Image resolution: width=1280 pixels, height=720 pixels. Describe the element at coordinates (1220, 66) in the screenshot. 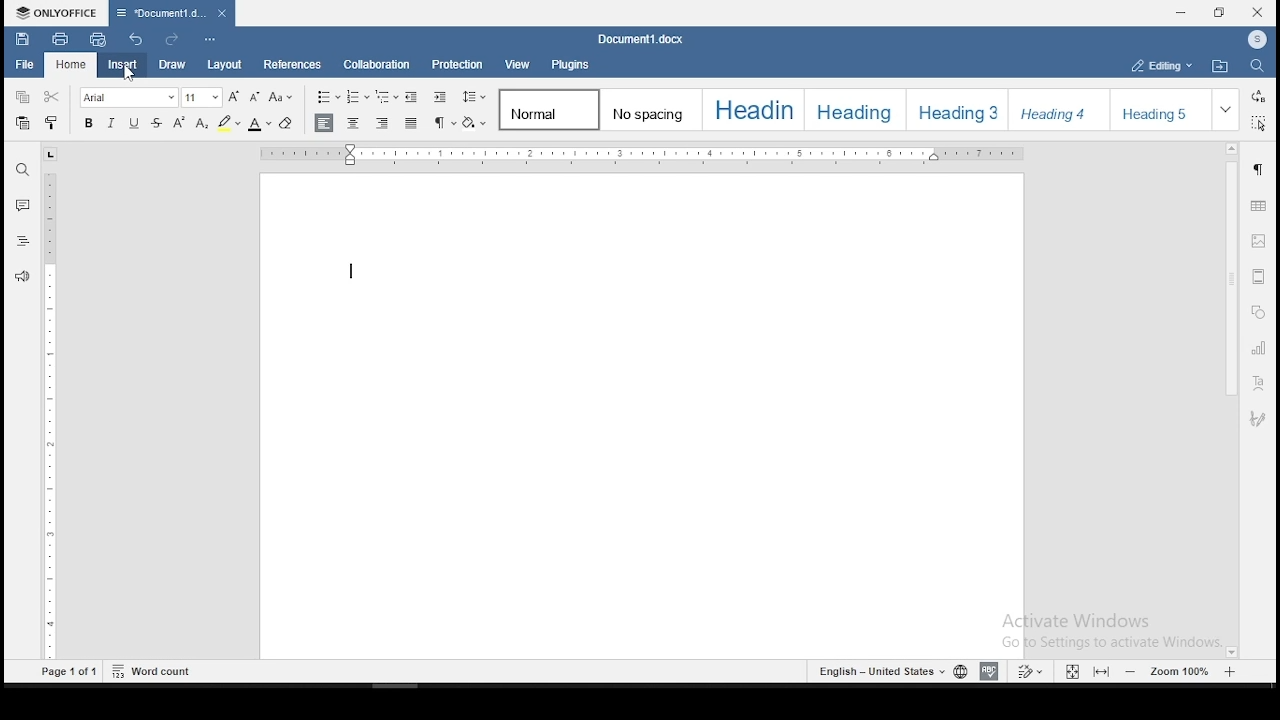

I see `open file location` at that location.